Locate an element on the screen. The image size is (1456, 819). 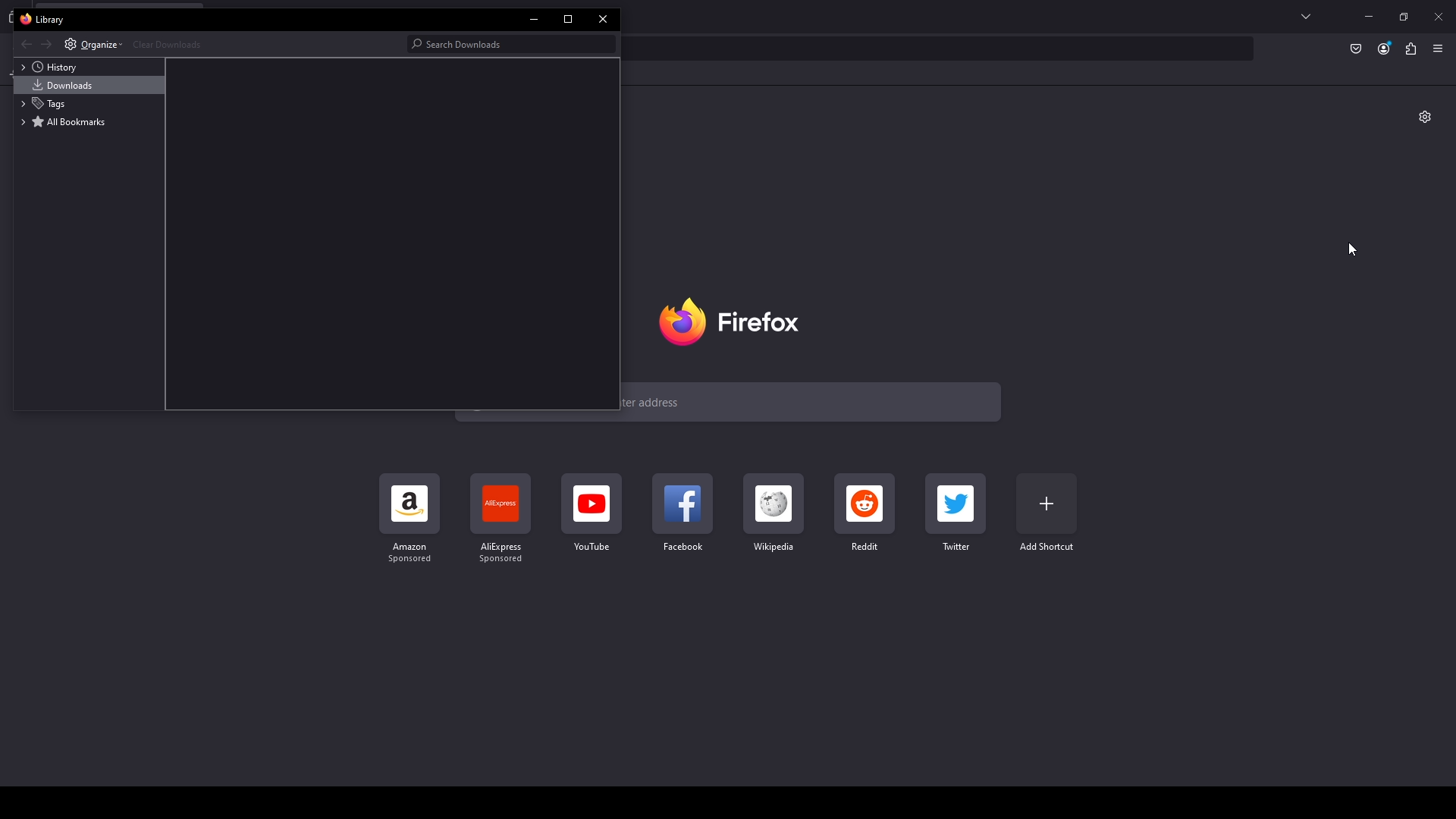
Facebook is located at coordinates (681, 514).